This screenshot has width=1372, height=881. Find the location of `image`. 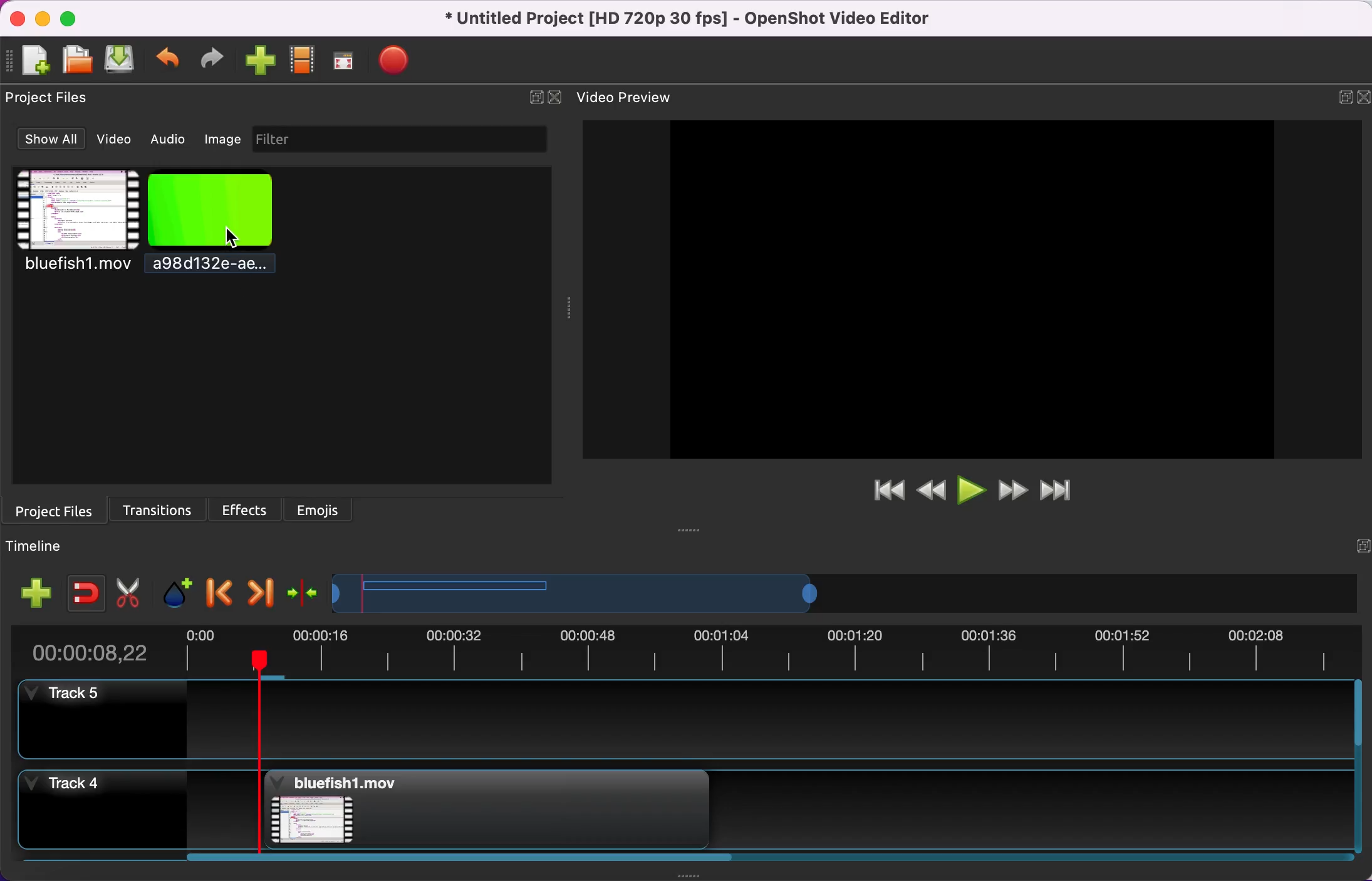

image is located at coordinates (221, 138).